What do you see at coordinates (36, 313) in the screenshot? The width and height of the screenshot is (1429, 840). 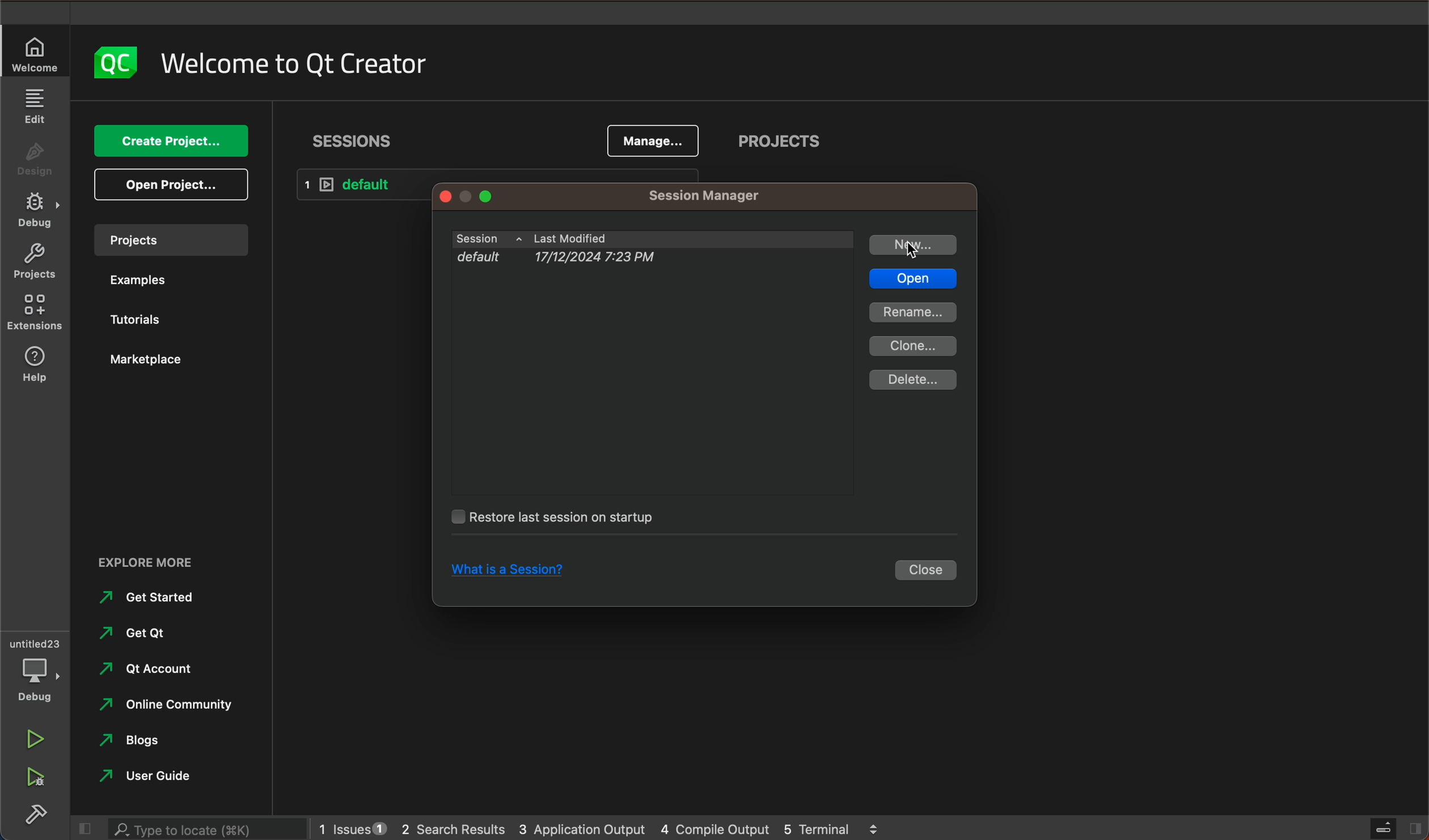 I see `Extensions` at bounding box center [36, 313].